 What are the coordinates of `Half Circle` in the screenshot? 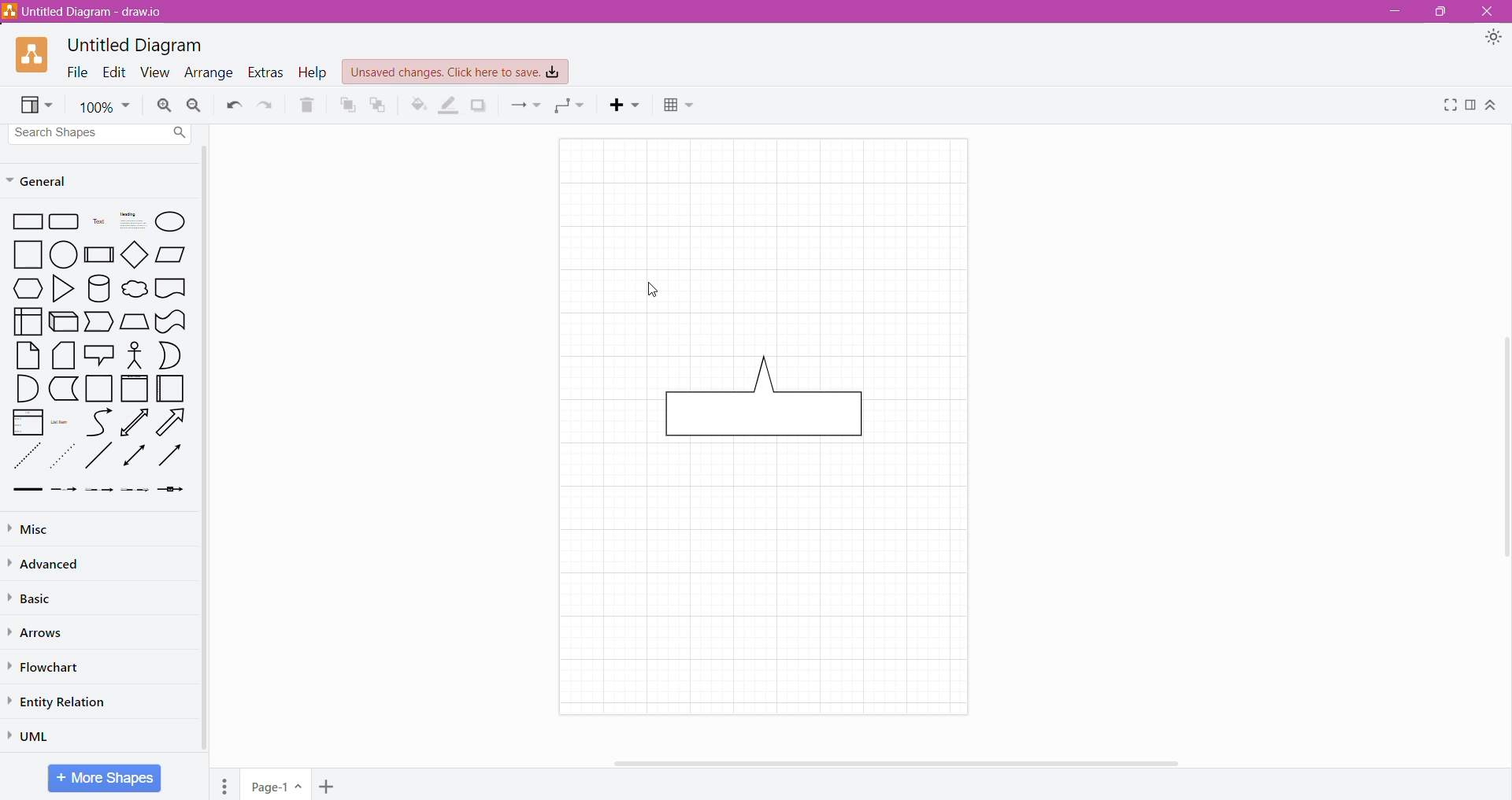 It's located at (172, 355).